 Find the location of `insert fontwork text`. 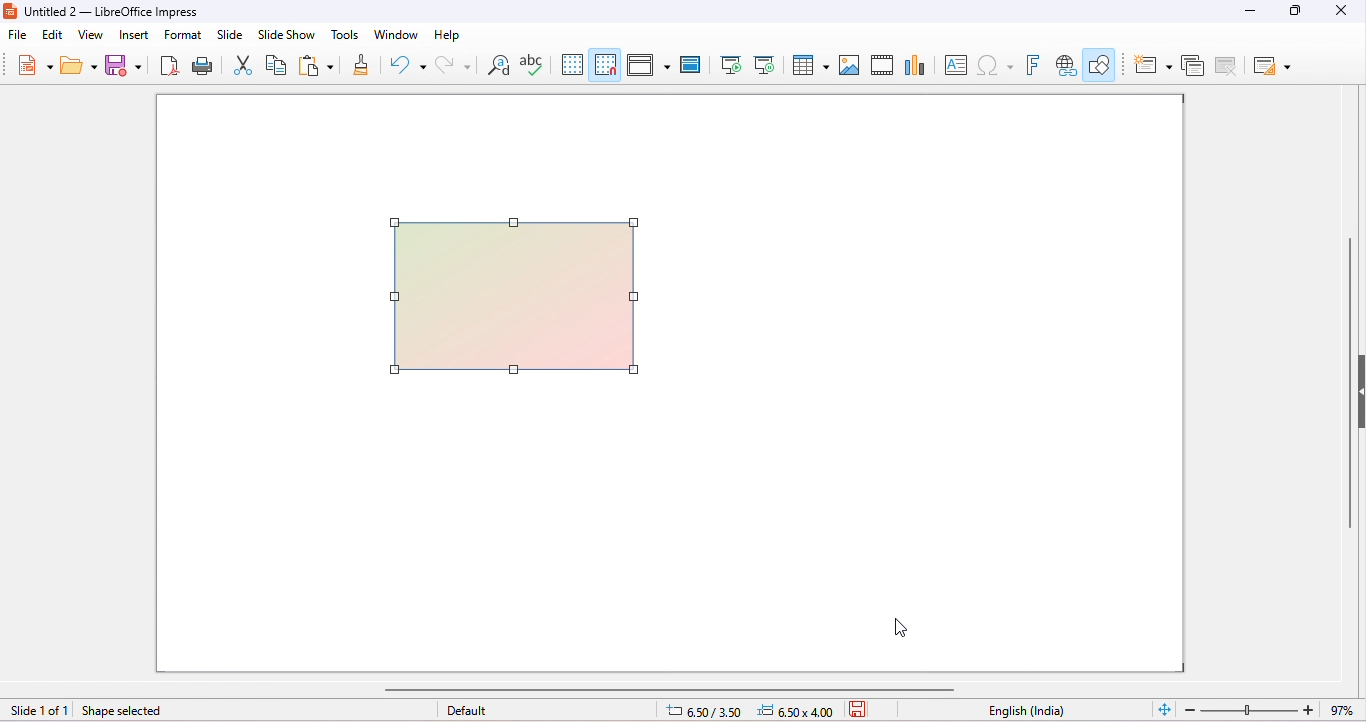

insert fontwork text is located at coordinates (1032, 64).